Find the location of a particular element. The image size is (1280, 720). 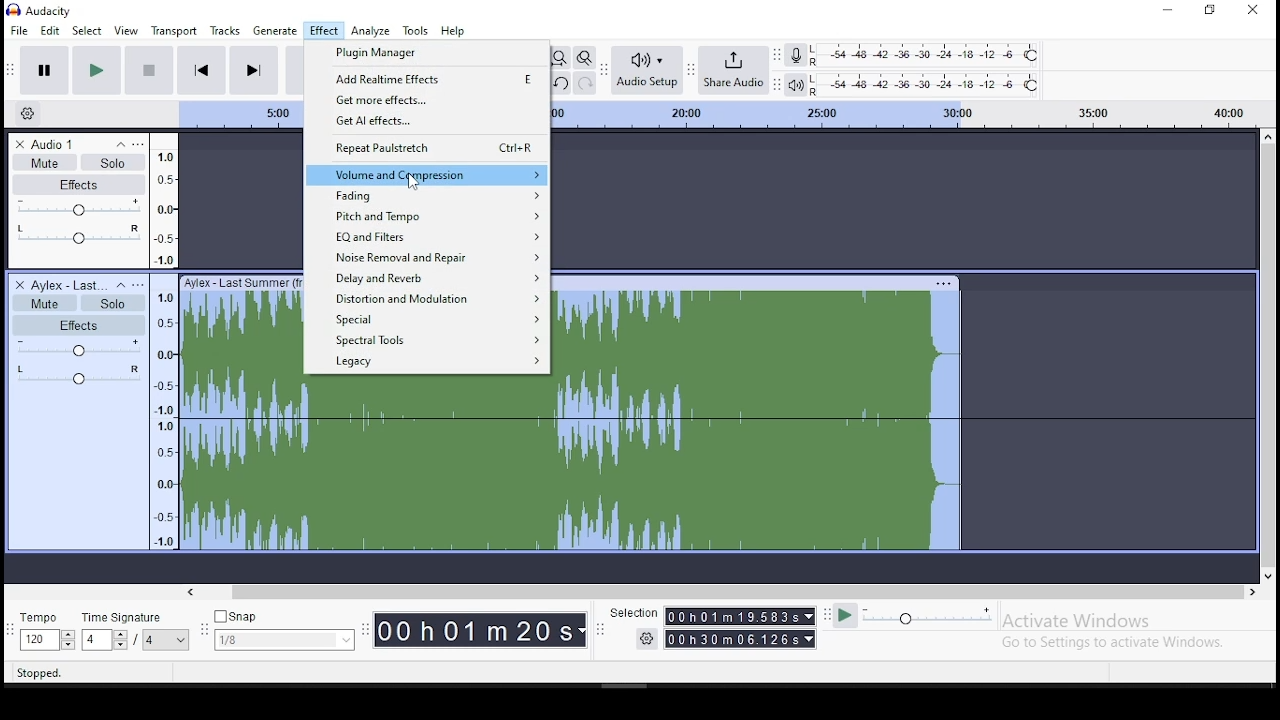

audio track is located at coordinates (574, 467).